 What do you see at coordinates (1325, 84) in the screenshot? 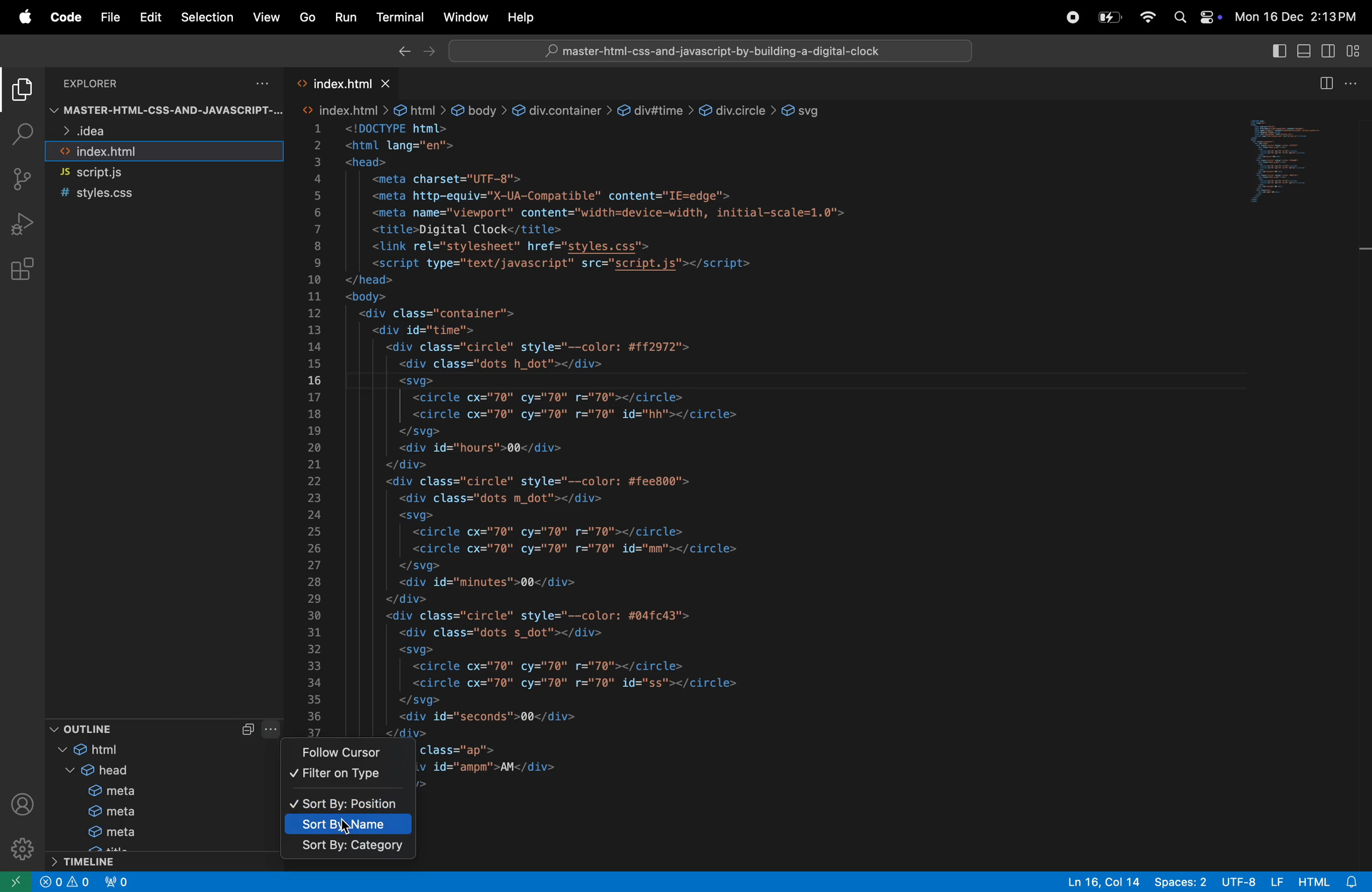
I see `split editor right` at bounding box center [1325, 84].